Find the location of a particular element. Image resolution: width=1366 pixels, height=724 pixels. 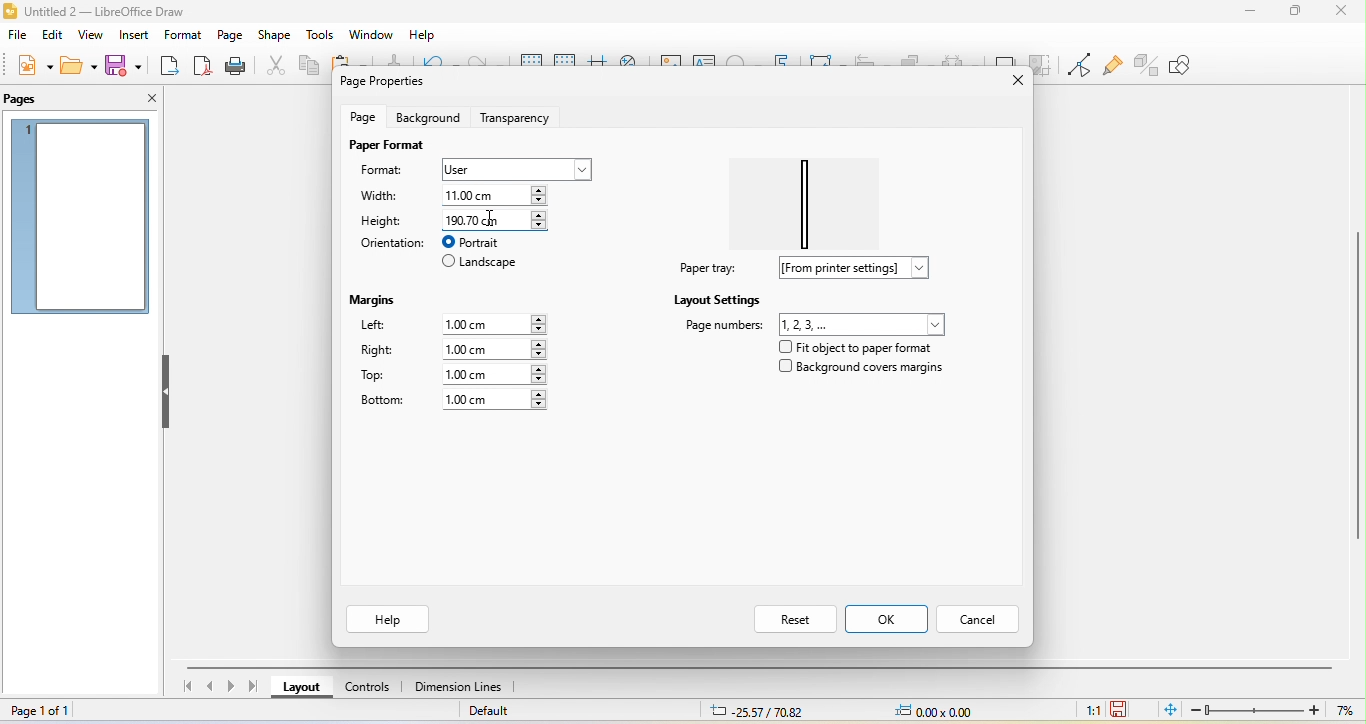

1.00 cm is located at coordinates (498, 322).